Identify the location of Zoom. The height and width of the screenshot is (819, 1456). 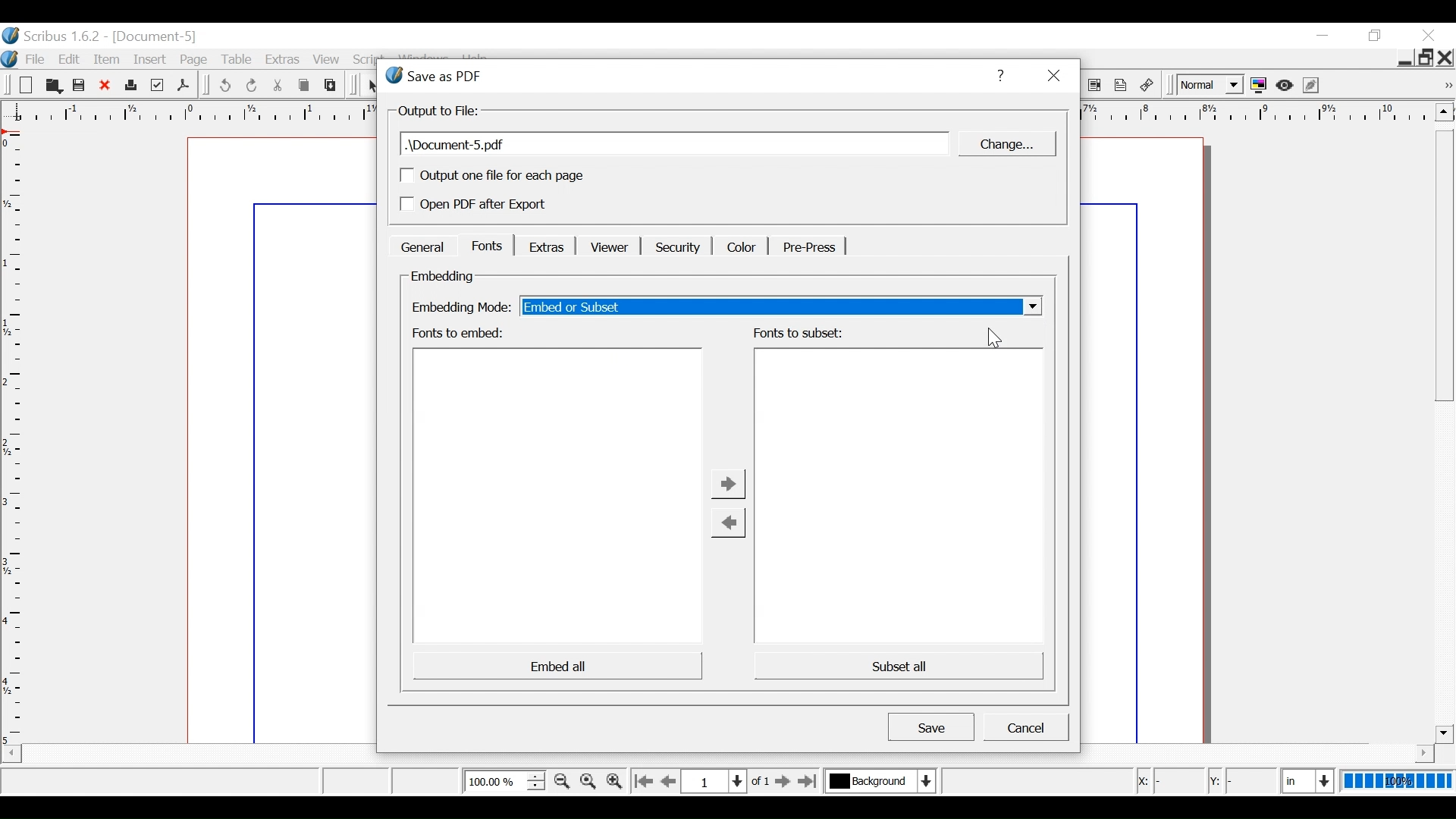
(504, 780).